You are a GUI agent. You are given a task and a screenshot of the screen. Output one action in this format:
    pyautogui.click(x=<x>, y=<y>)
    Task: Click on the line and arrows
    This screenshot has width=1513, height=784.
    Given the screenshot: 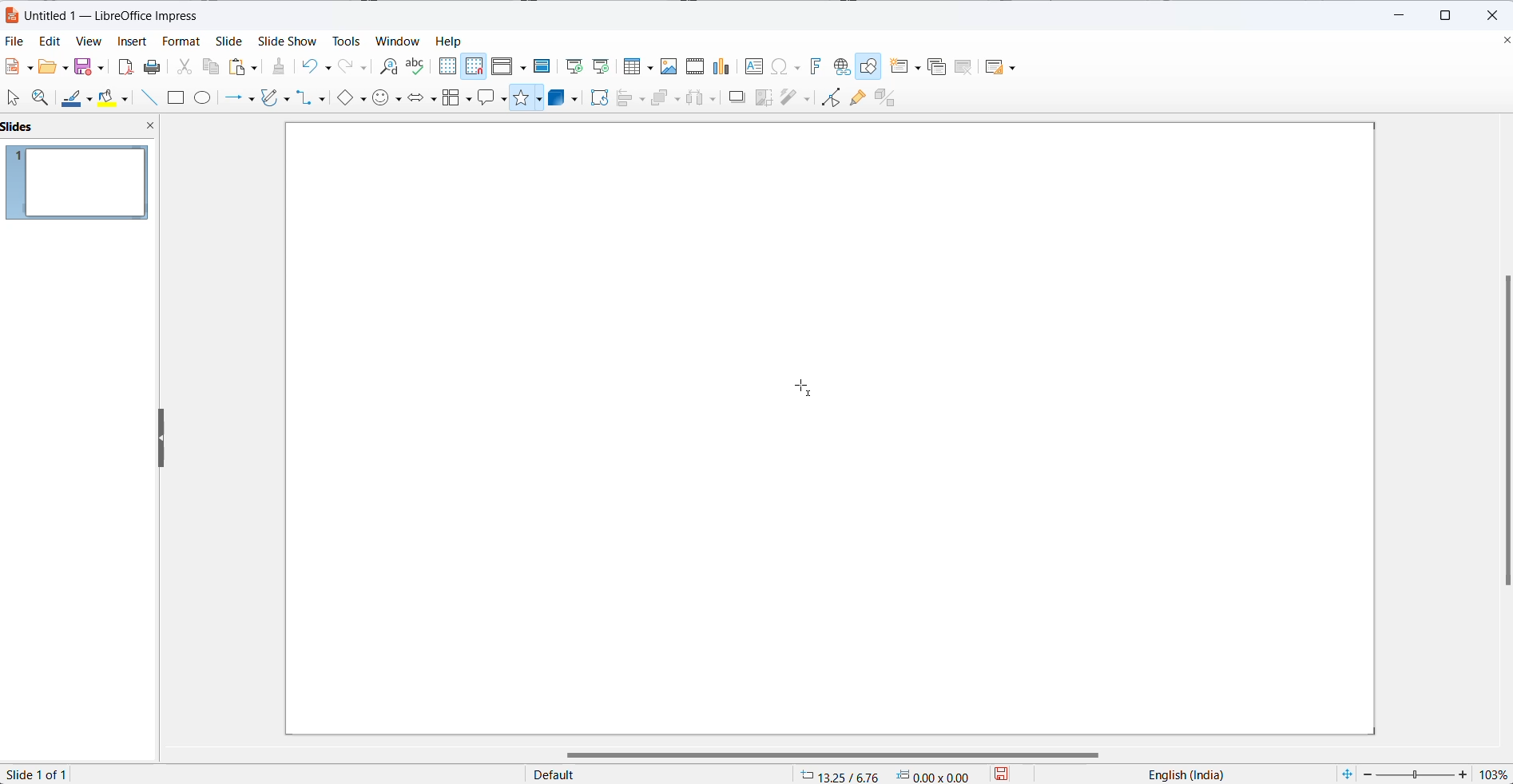 What is the action you would take?
    pyautogui.click(x=237, y=99)
    